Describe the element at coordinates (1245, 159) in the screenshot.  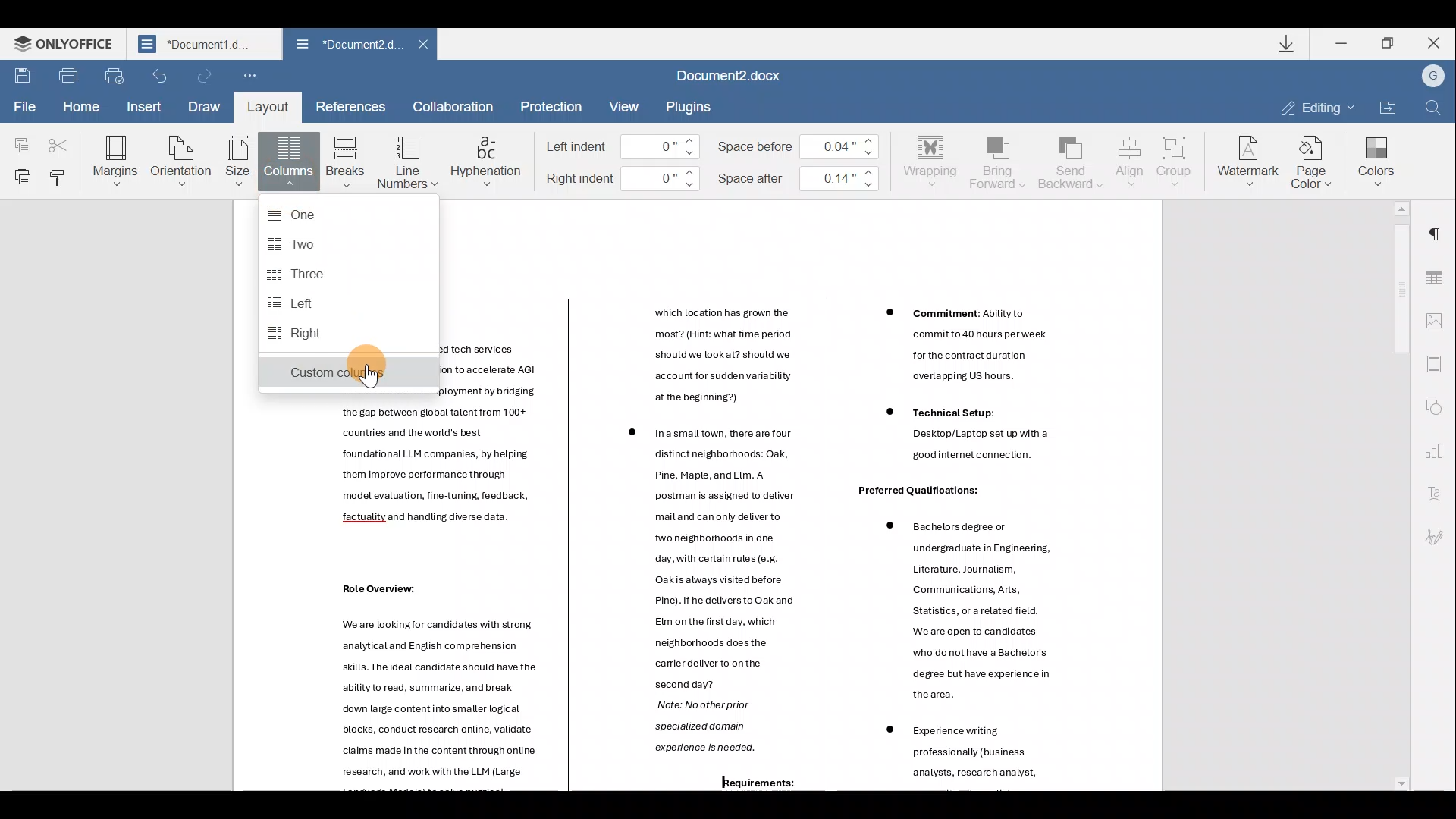
I see `Watermark` at that location.